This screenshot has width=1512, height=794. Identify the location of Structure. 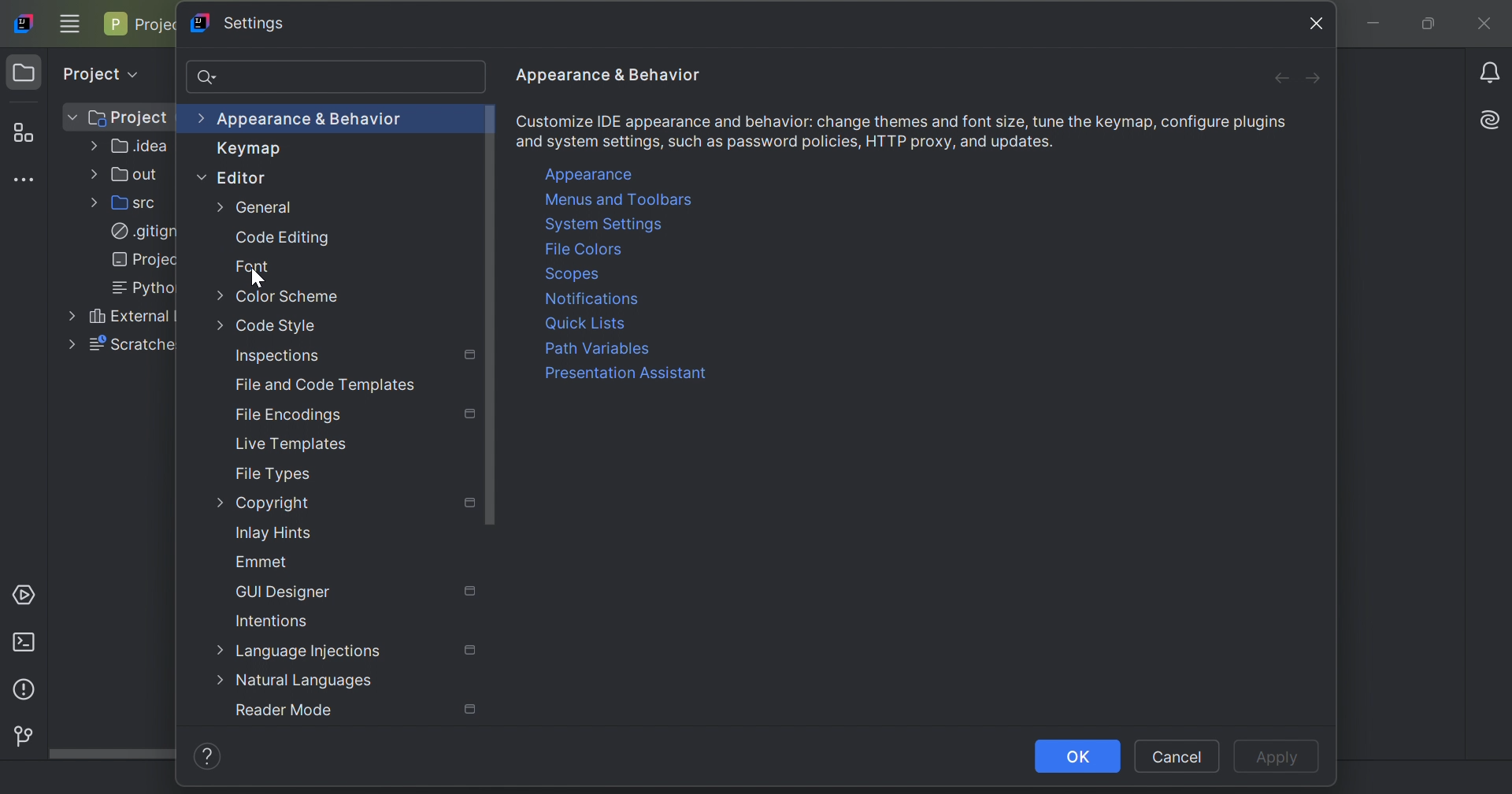
(24, 134).